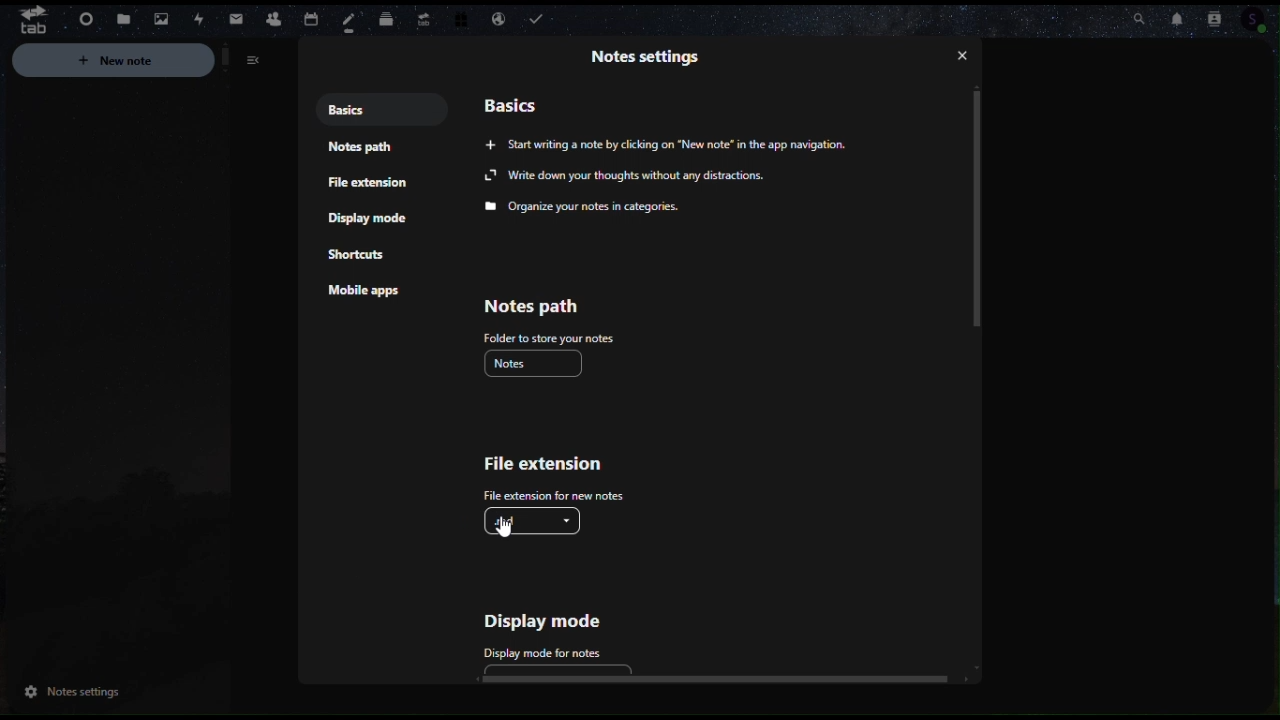  Describe the element at coordinates (197, 20) in the screenshot. I see `Activities` at that location.